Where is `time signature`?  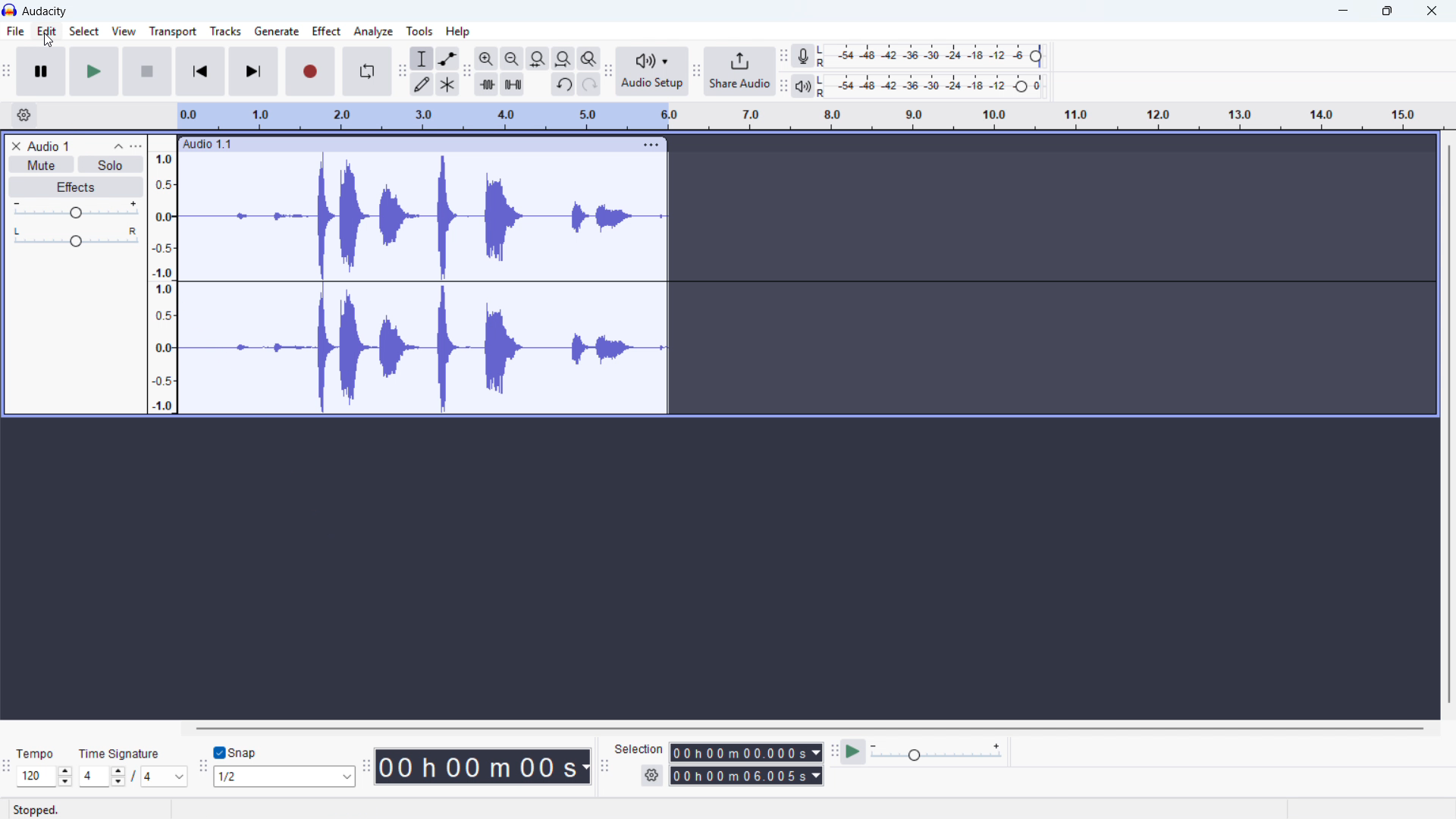 time signature is located at coordinates (118, 753).